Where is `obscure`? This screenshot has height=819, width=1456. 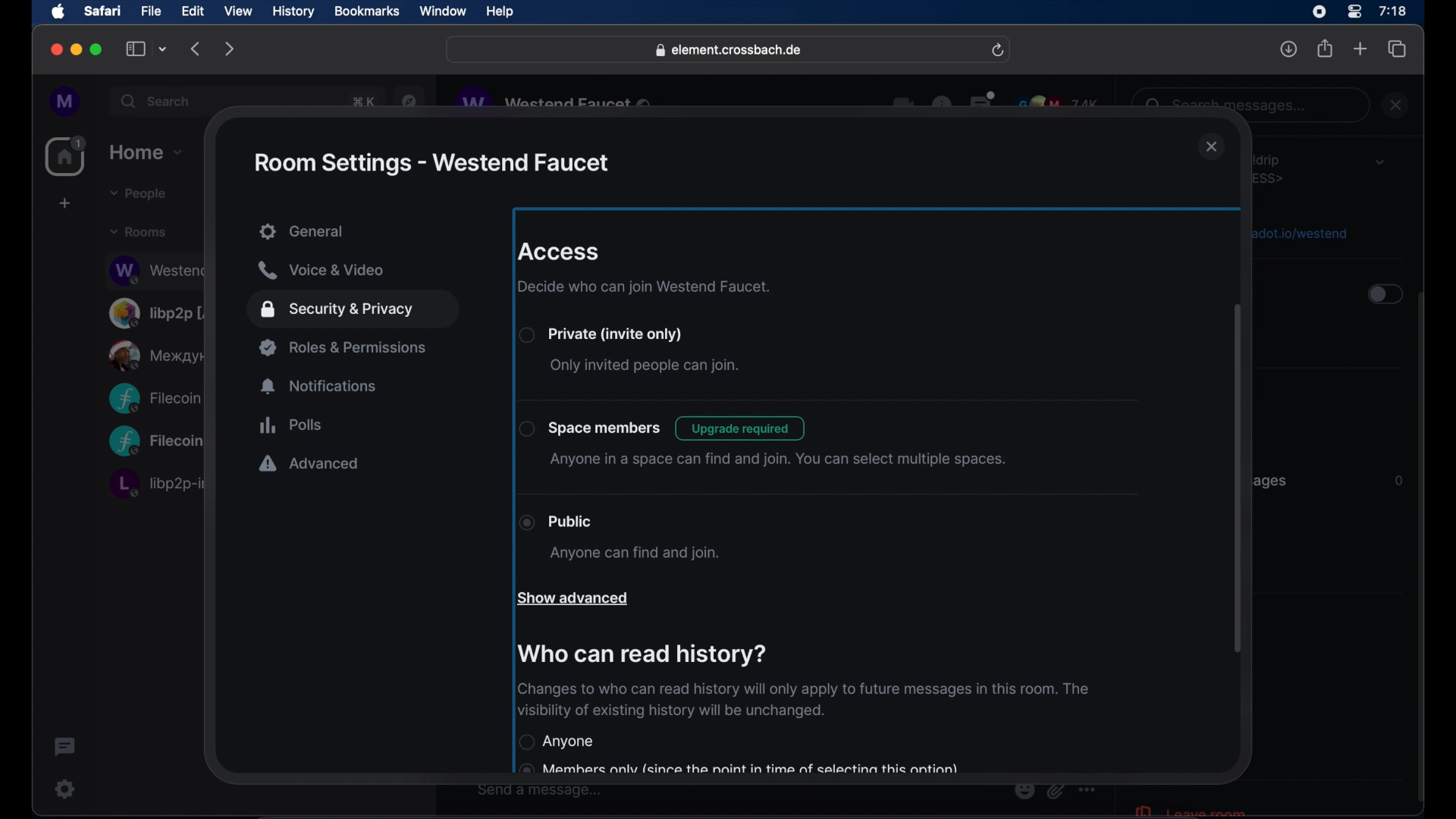
obscure is located at coordinates (156, 442).